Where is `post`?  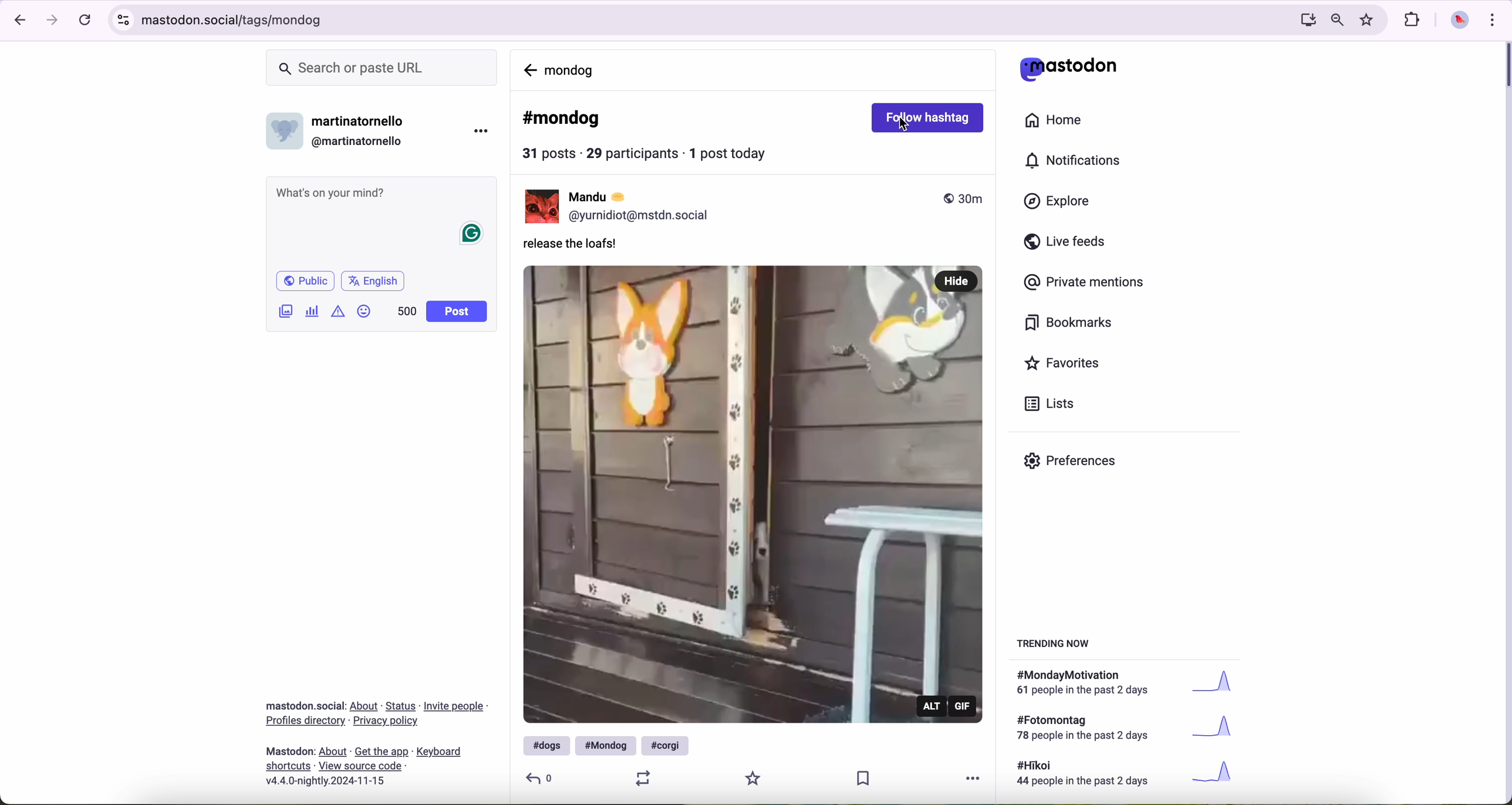
post is located at coordinates (458, 312).